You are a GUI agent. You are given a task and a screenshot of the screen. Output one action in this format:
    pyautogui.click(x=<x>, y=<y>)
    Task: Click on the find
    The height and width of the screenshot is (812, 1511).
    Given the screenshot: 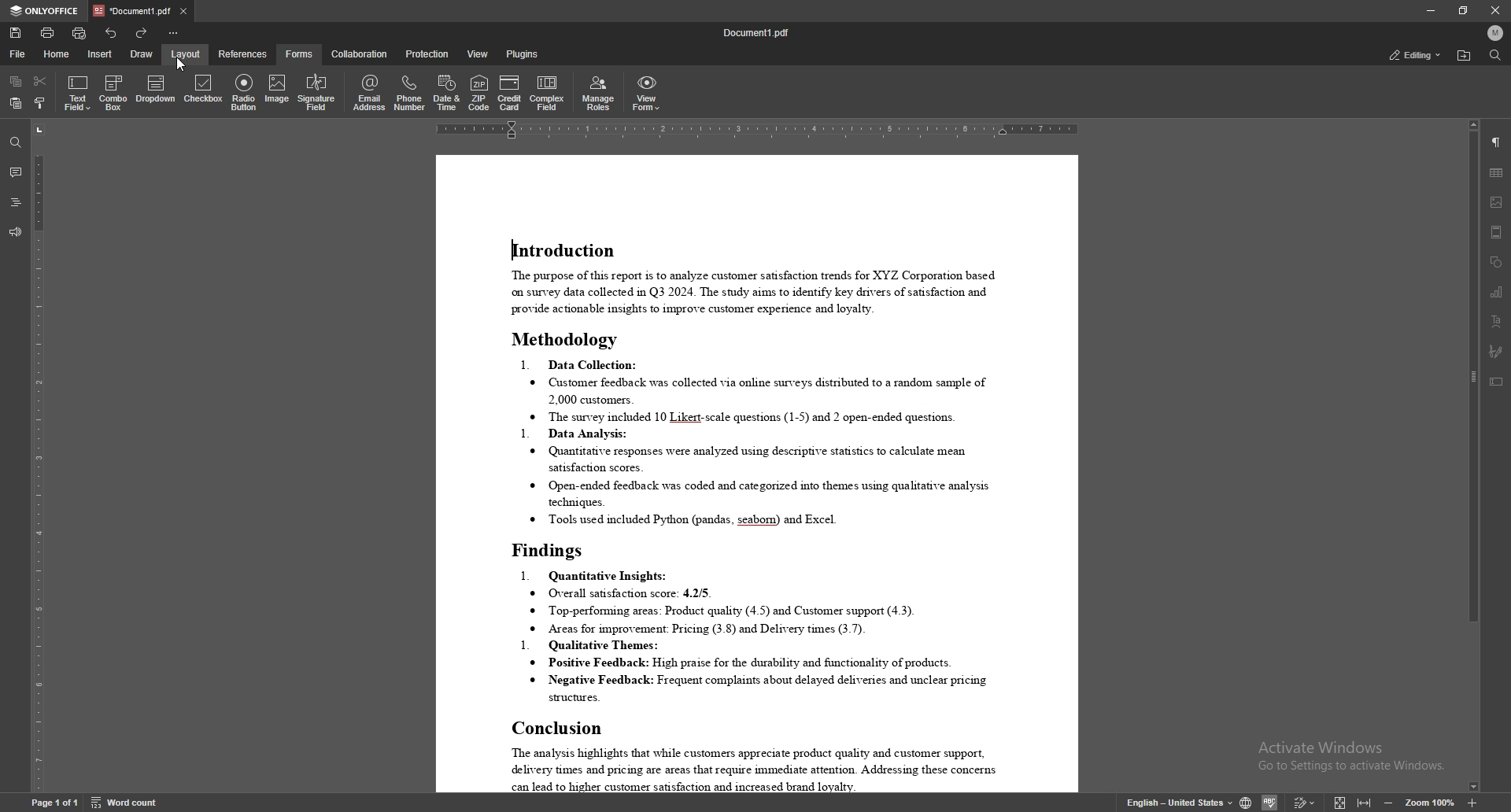 What is the action you would take?
    pyautogui.click(x=1494, y=55)
    